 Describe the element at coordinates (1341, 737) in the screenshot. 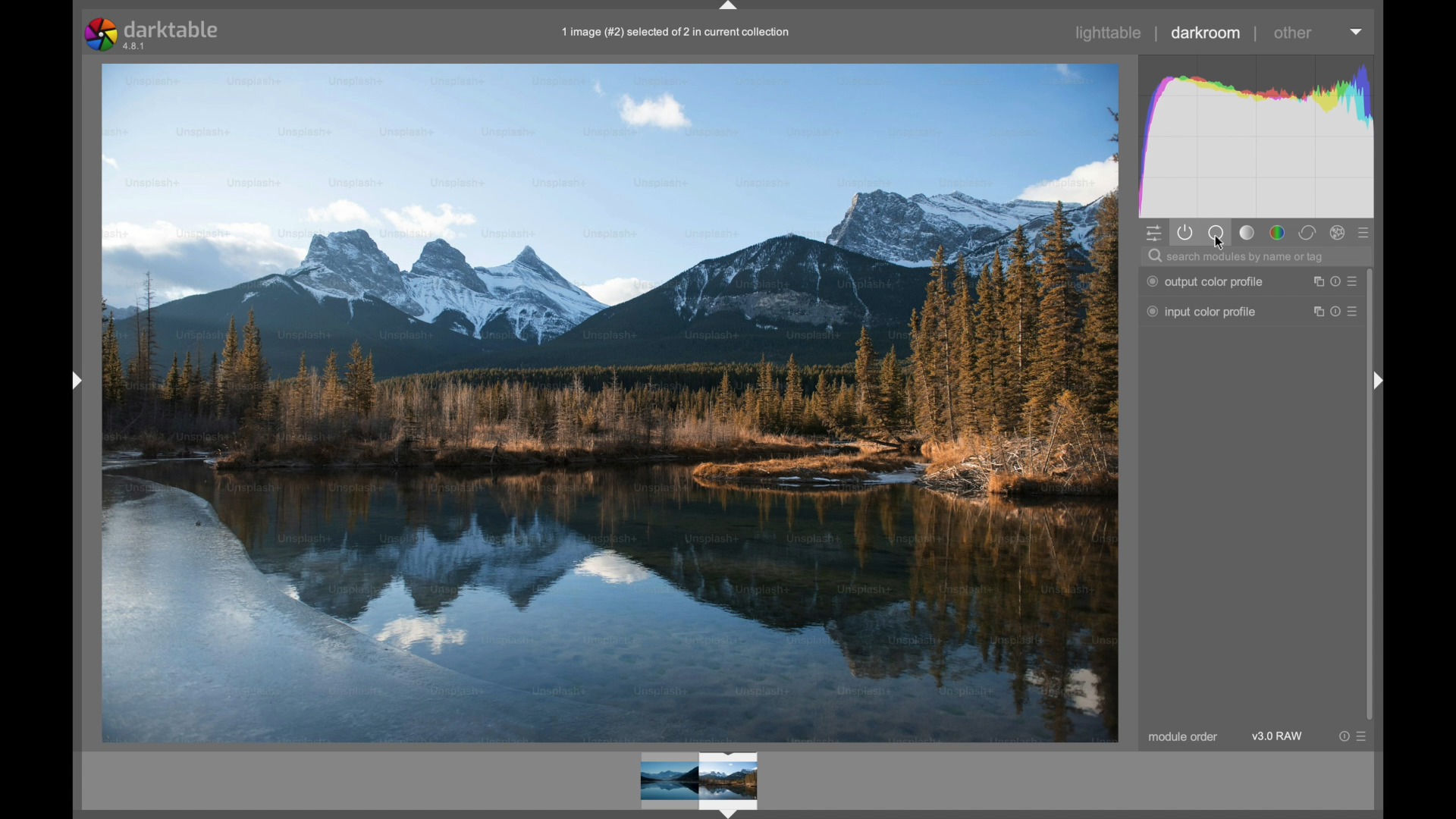

I see `reset parameters` at that location.